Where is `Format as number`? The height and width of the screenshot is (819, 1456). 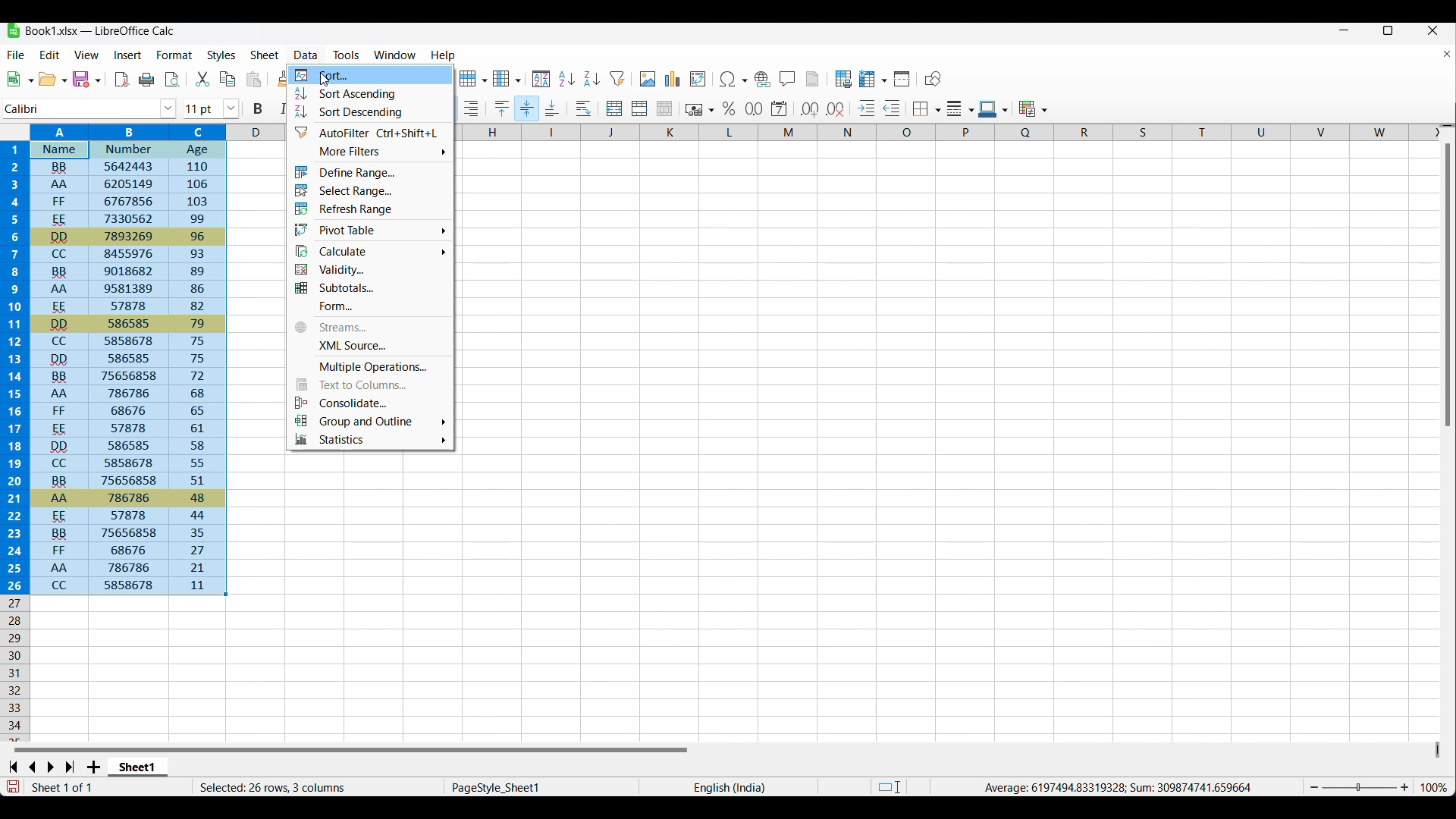
Format as number is located at coordinates (755, 108).